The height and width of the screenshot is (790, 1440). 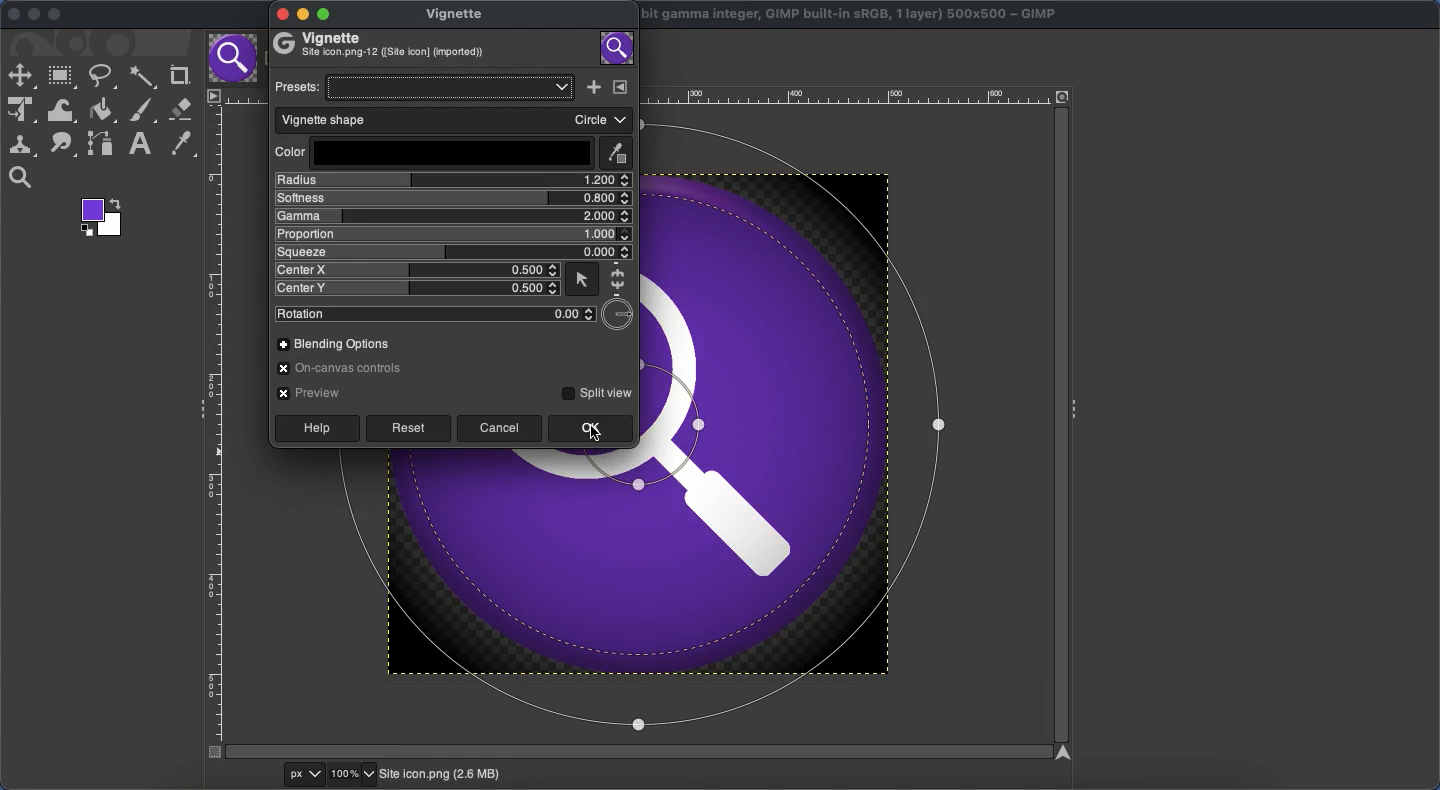 What do you see at coordinates (306, 775) in the screenshot?
I see `pc` at bounding box center [306, 775].